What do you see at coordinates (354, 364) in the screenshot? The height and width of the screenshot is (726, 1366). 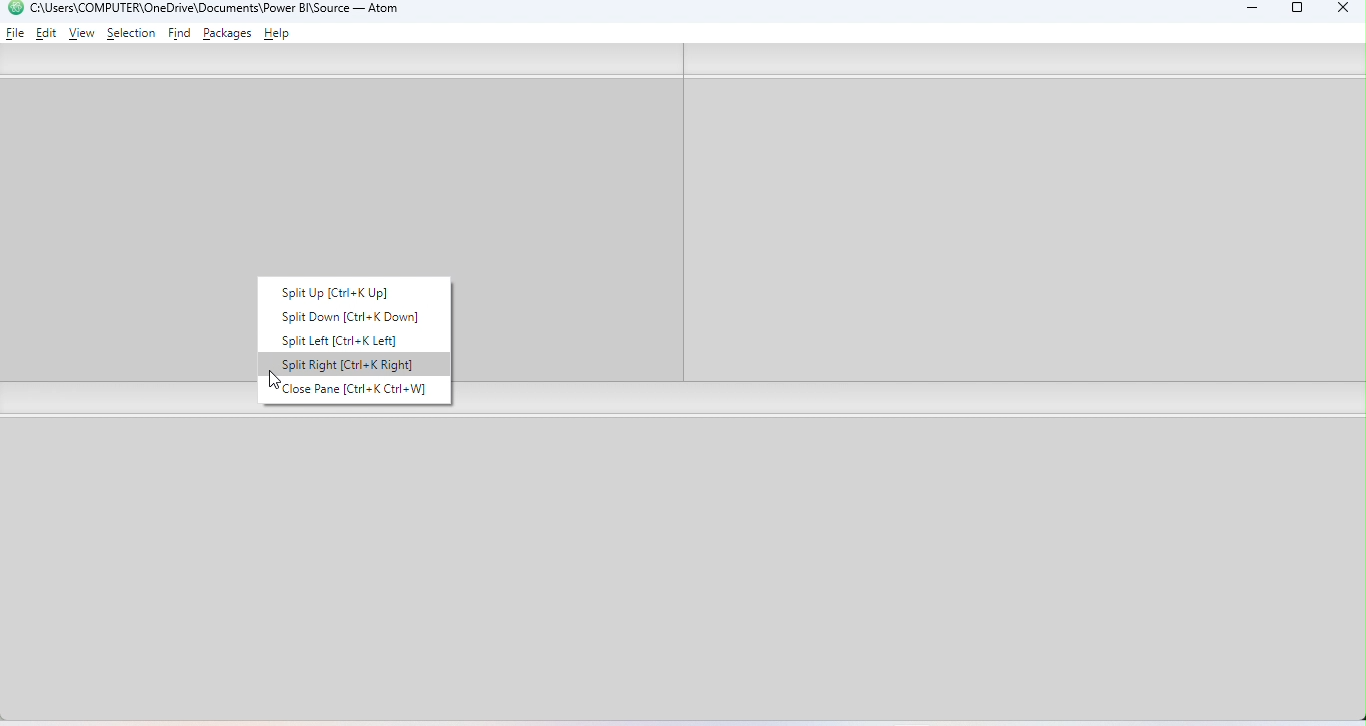 I see `Split Right [Ctrl+K Right]` at bounding box center [354, 364].